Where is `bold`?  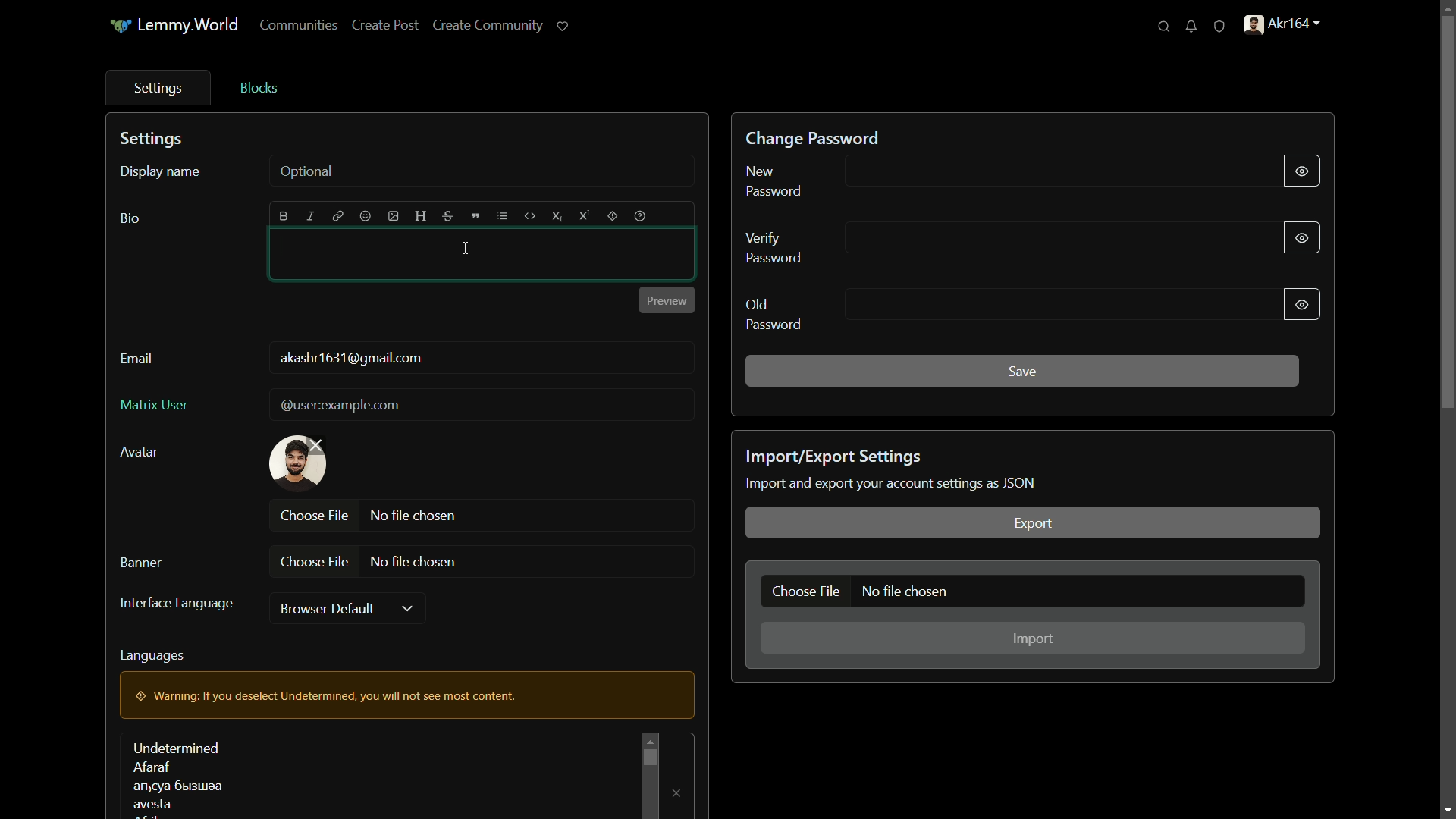
bold is located at coordinates (284, 217).